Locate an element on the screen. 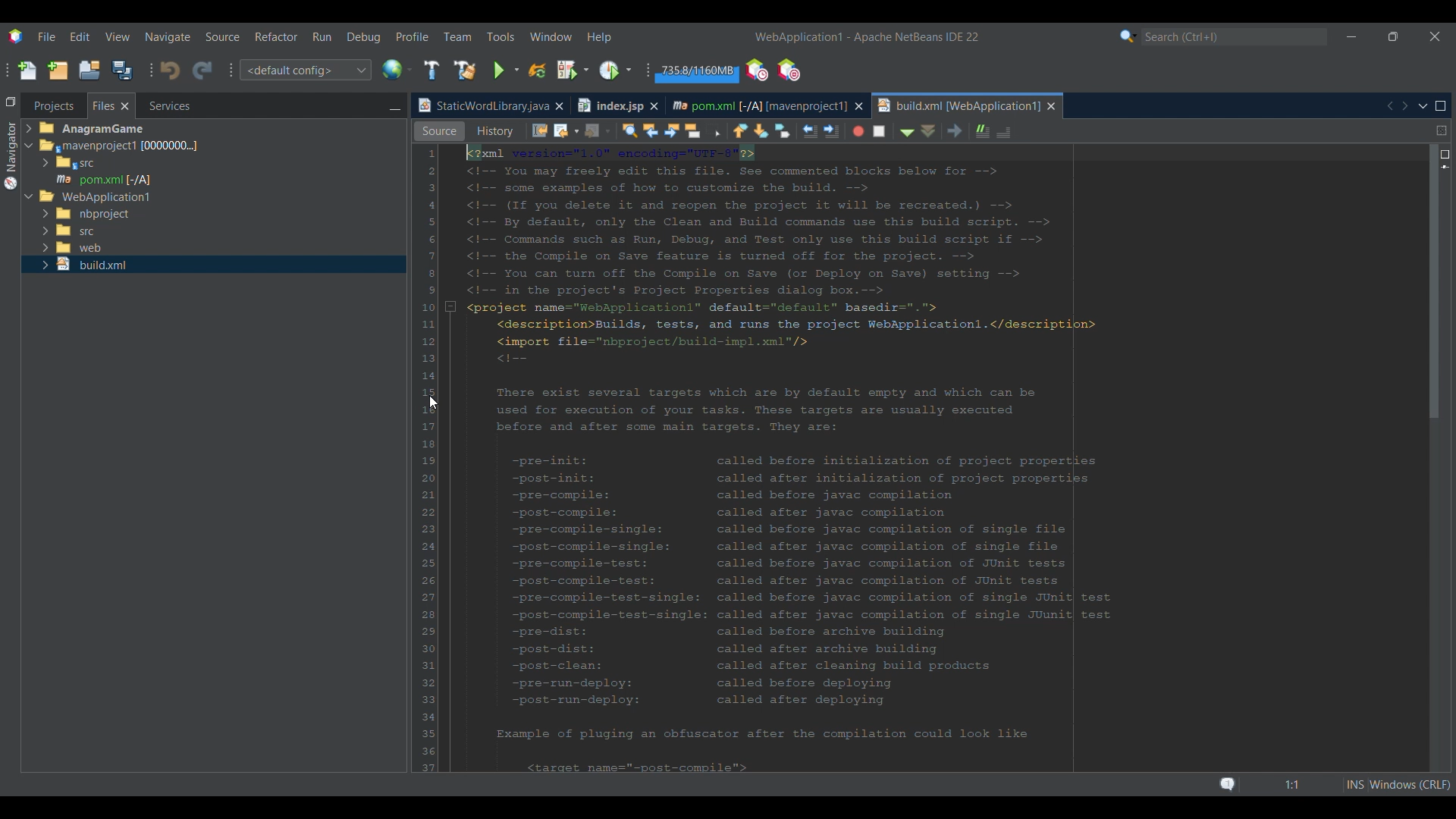 This screenshot has width=1456, height=819. Source view is located at coordinates (439, 131).